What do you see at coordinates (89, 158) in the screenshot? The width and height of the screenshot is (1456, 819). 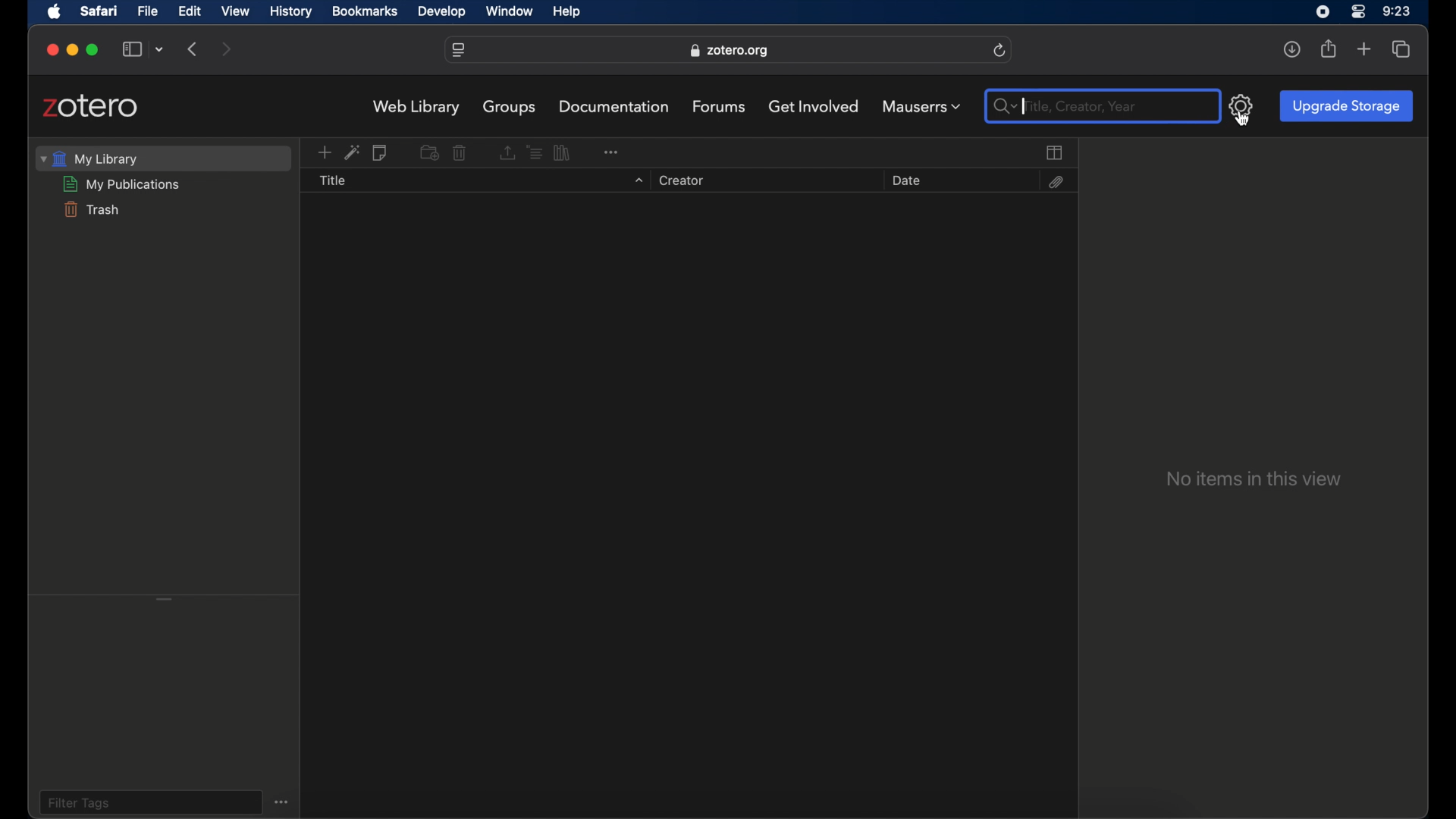 I see `my library` at bounding box center [89, 158].